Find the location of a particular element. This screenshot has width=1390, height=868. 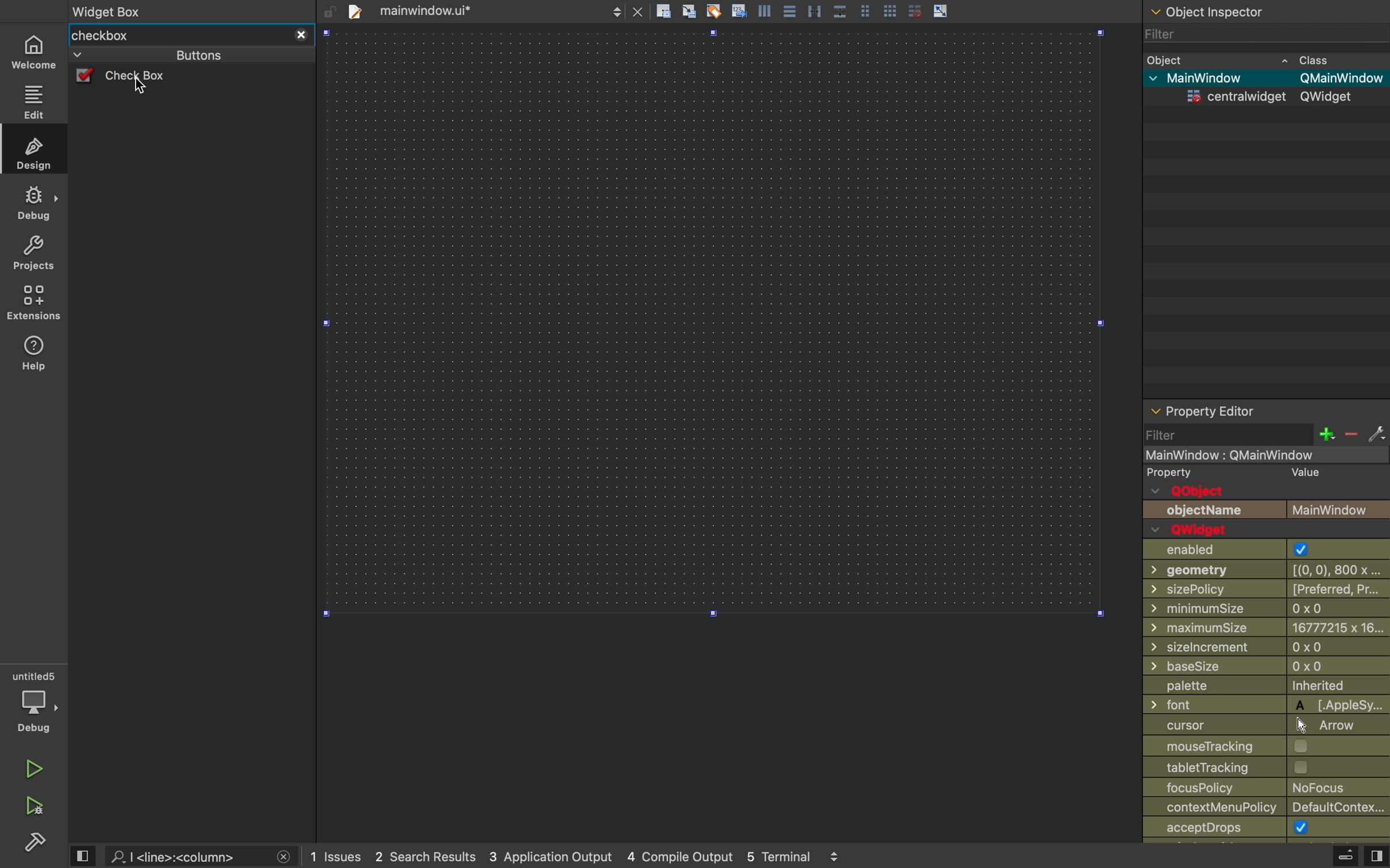

environment is located at coordinates (32, 303).